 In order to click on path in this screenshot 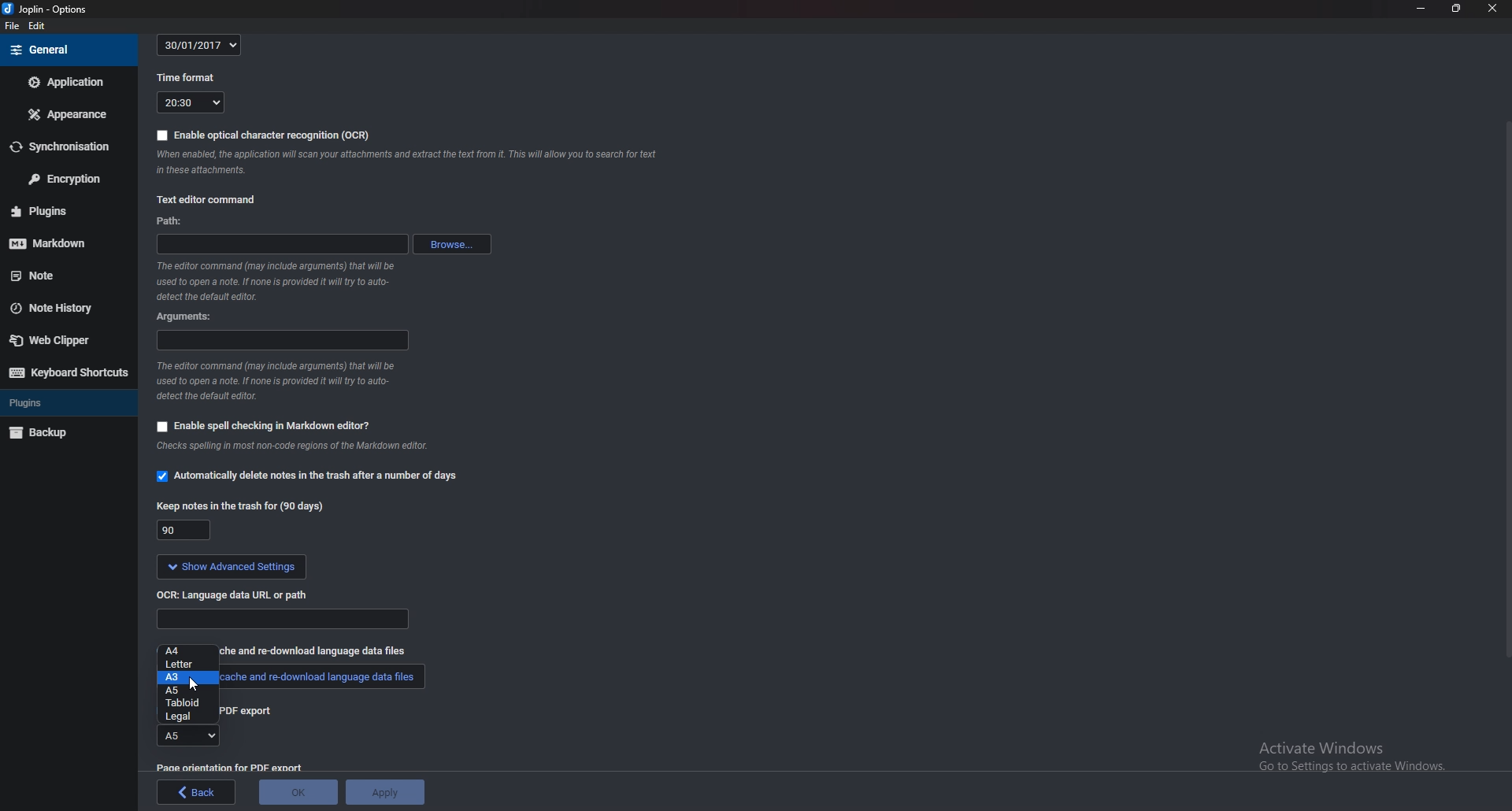, I will do `click(177, 220)`.